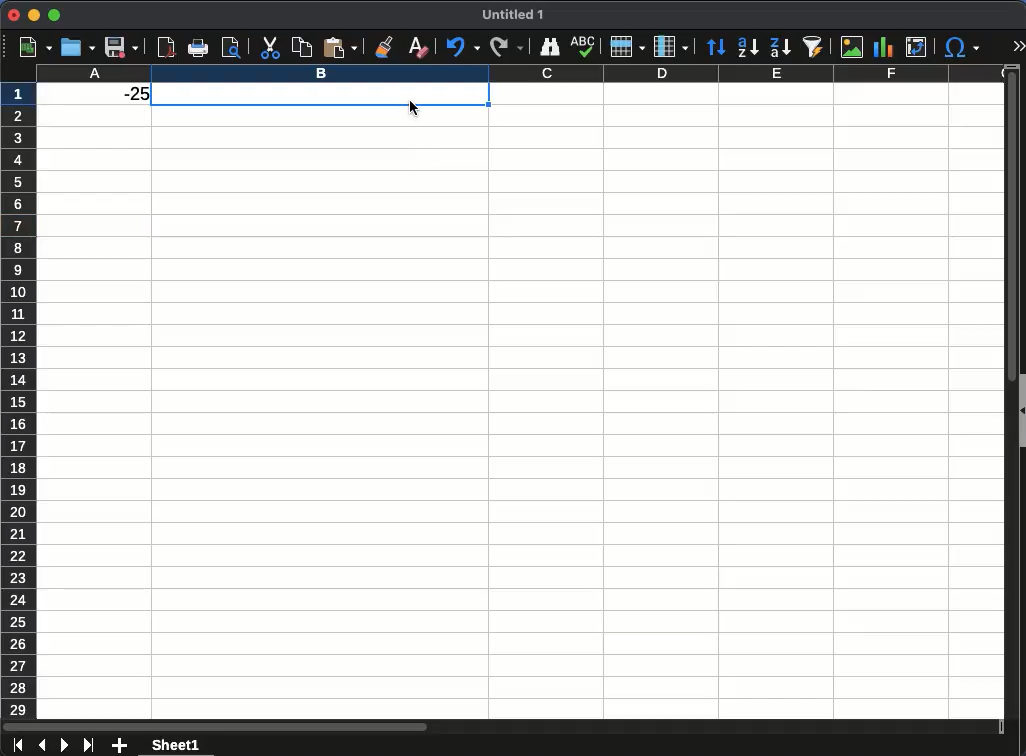 The height and width of the screenshot is (756, 1026). I want to click on clear formatting, so click(415, 45).